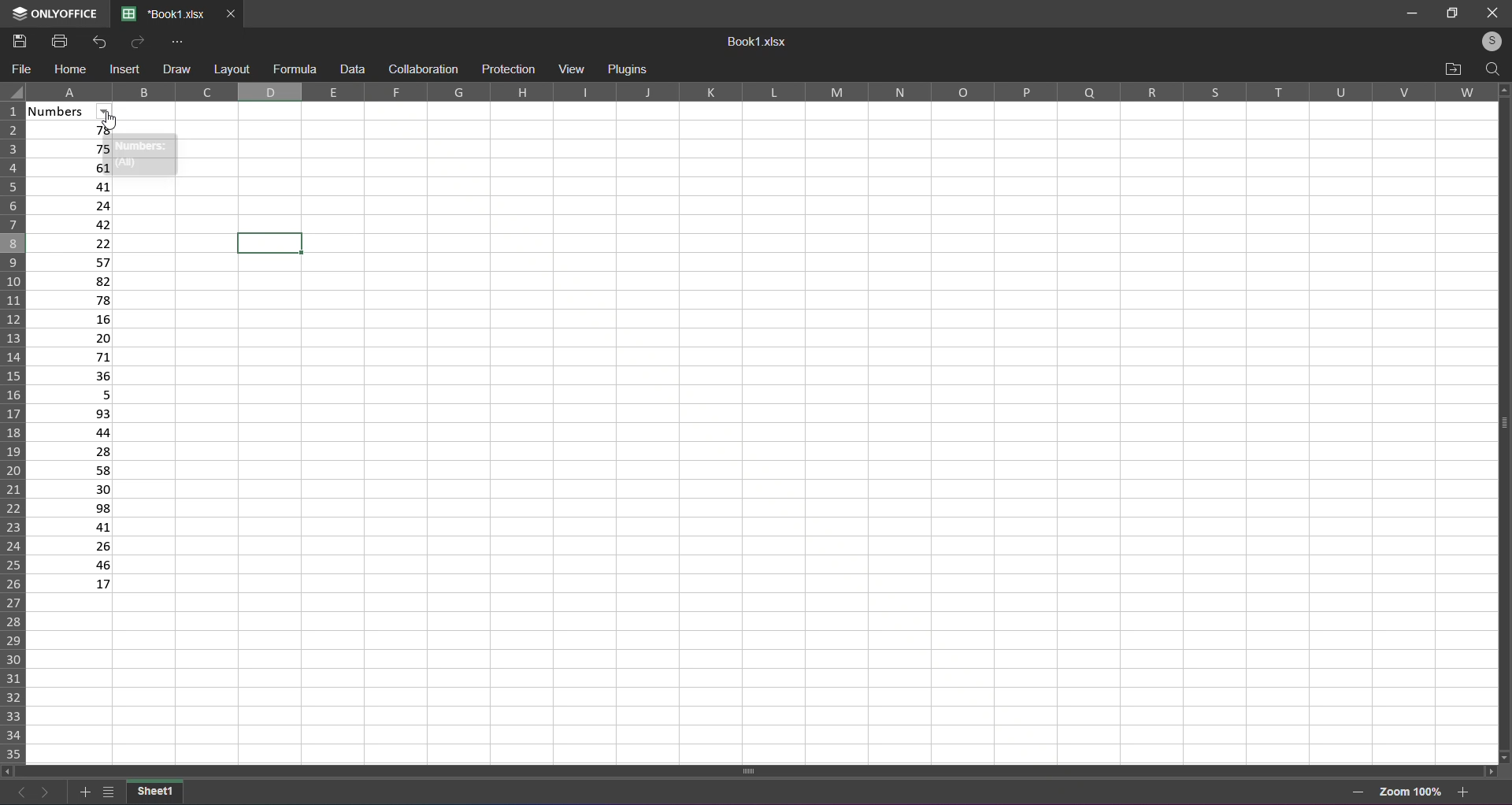 The image size is (1512, 805). I want to click on file, so click(24, 69).